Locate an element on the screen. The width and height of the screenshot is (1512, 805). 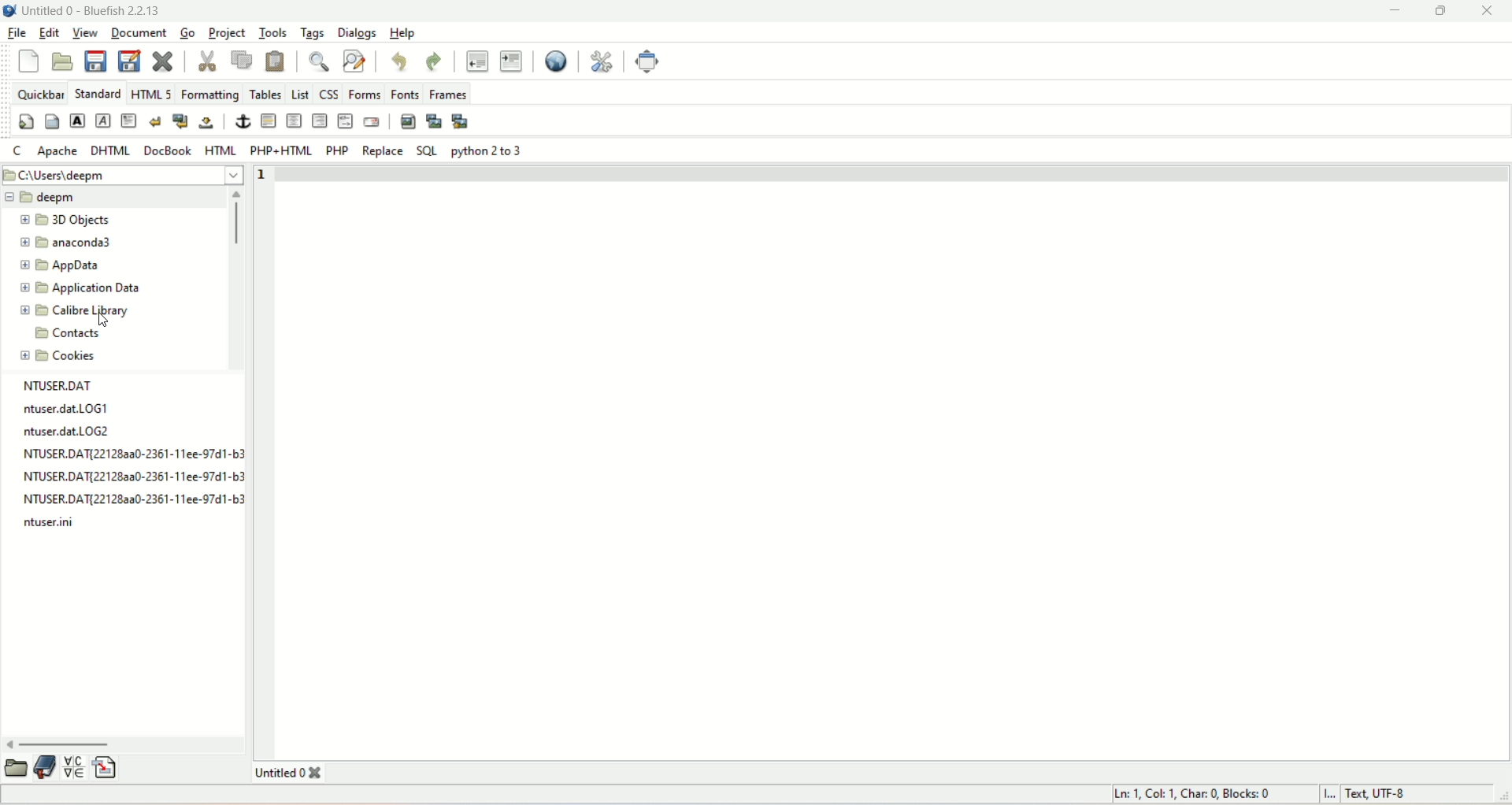
paragraph is located at coordinates (129, 120).